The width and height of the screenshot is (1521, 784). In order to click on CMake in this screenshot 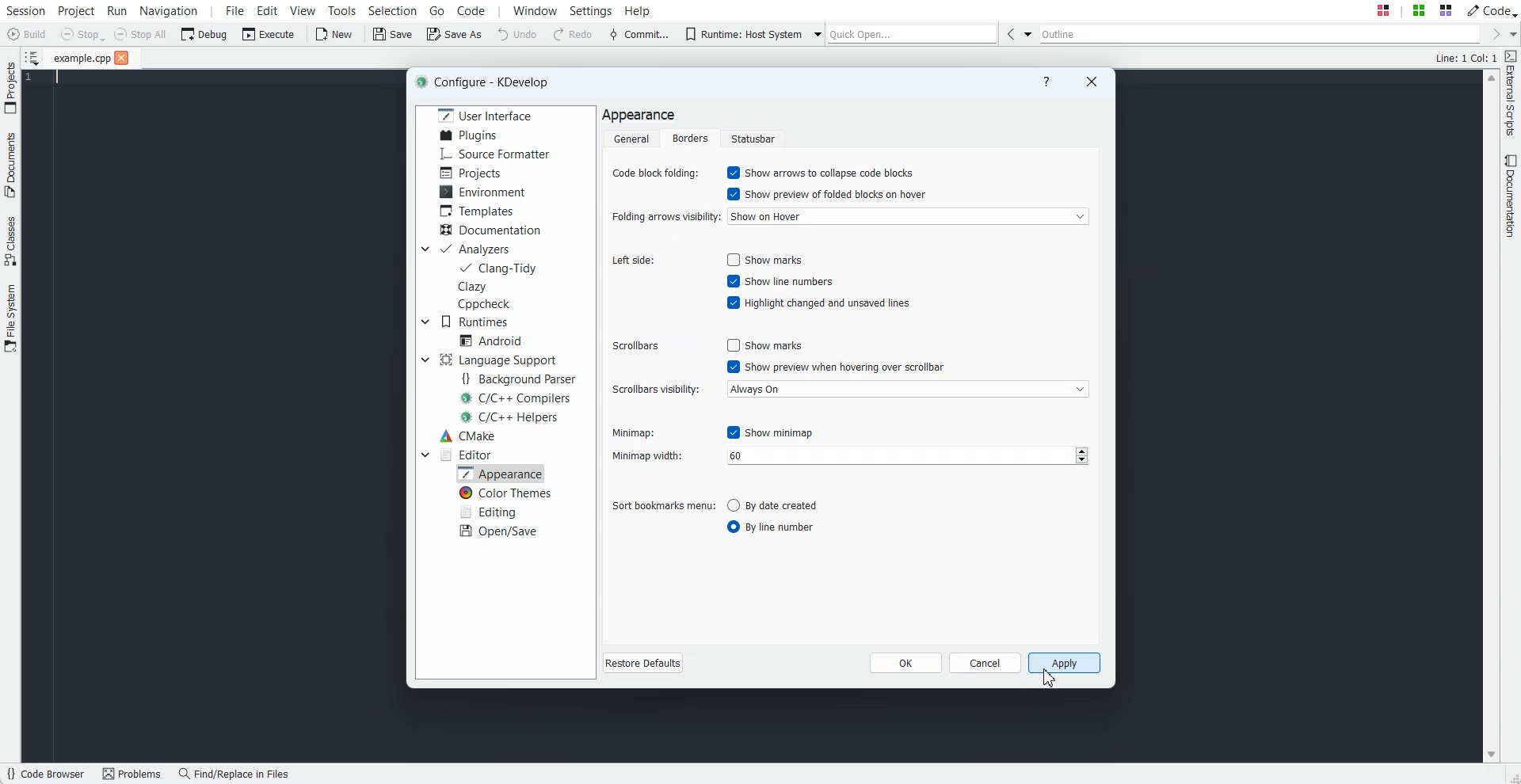, I will do `click(469, 436)`.